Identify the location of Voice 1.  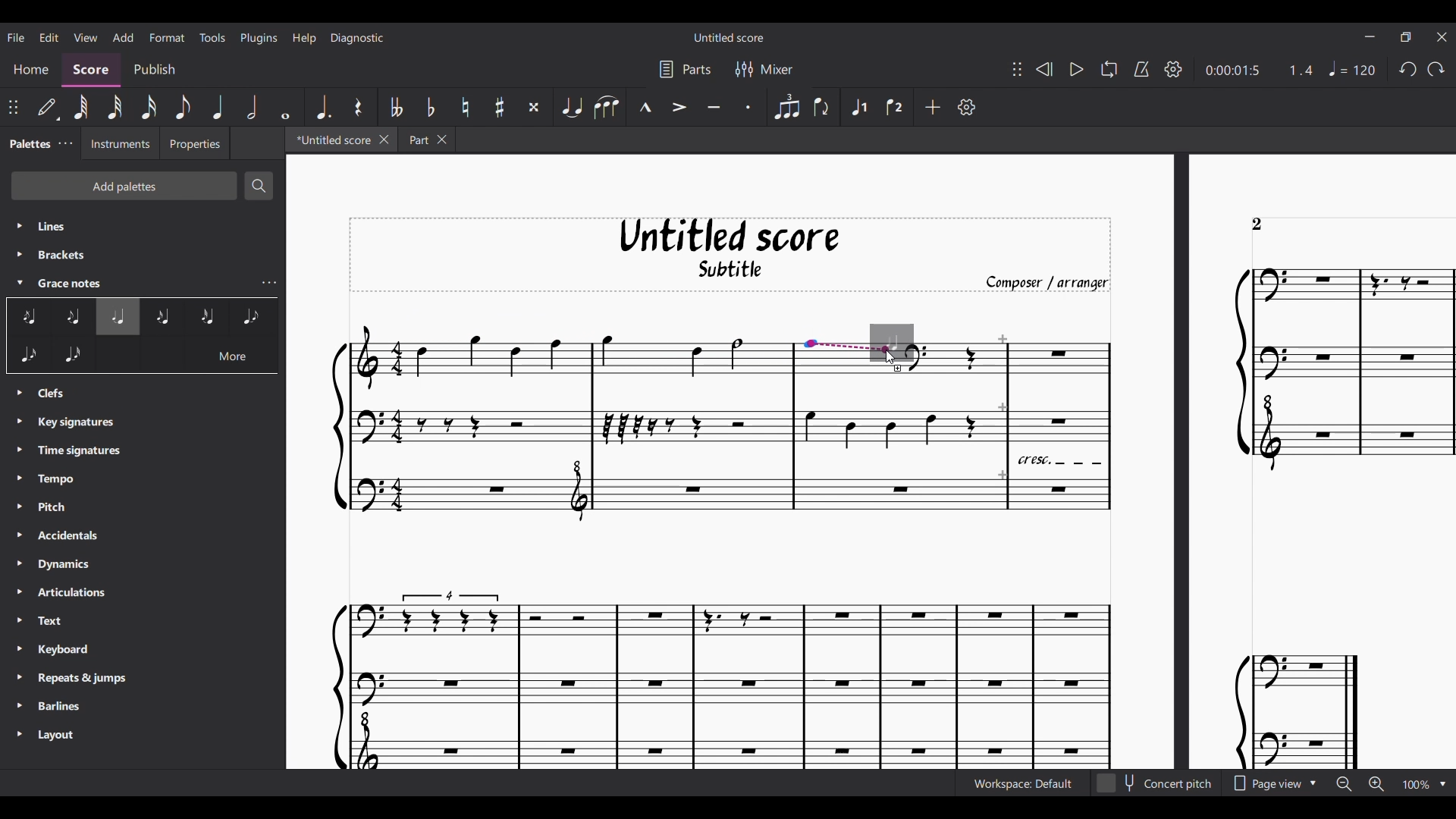
(858, 107).